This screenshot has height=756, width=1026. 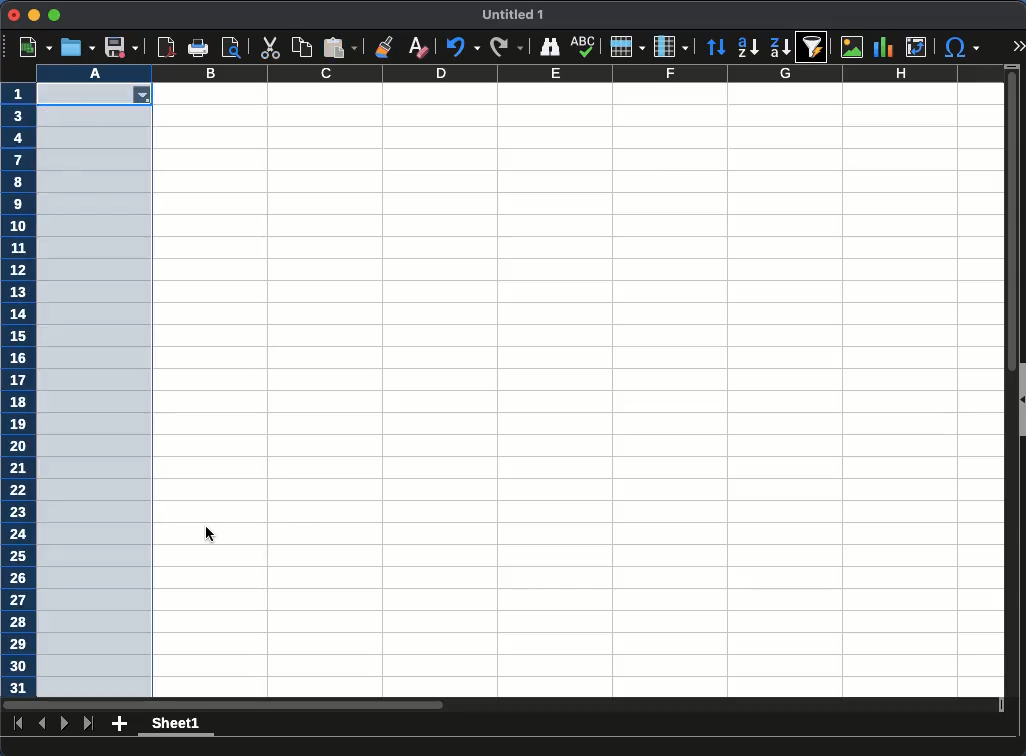 I want to click on chart, so click(x=883, y=47).